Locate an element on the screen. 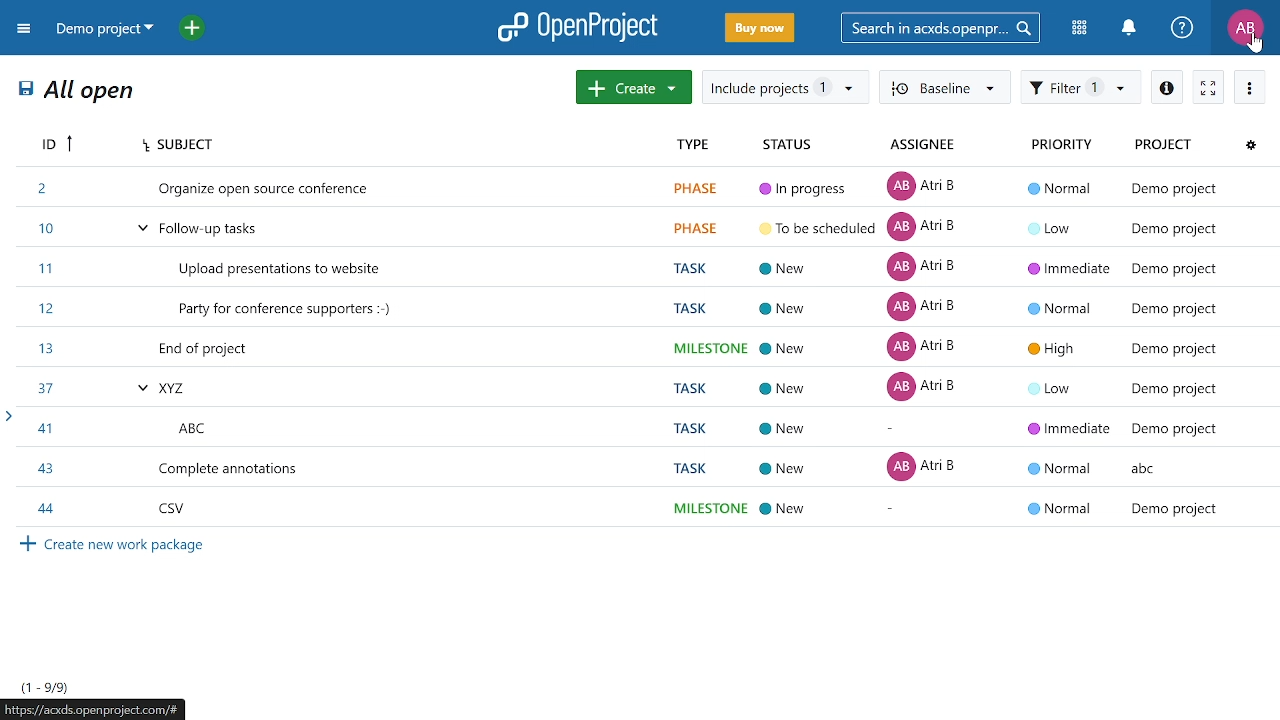 The image size is (1280, 720). project ID is located at coordinates (53, 144).